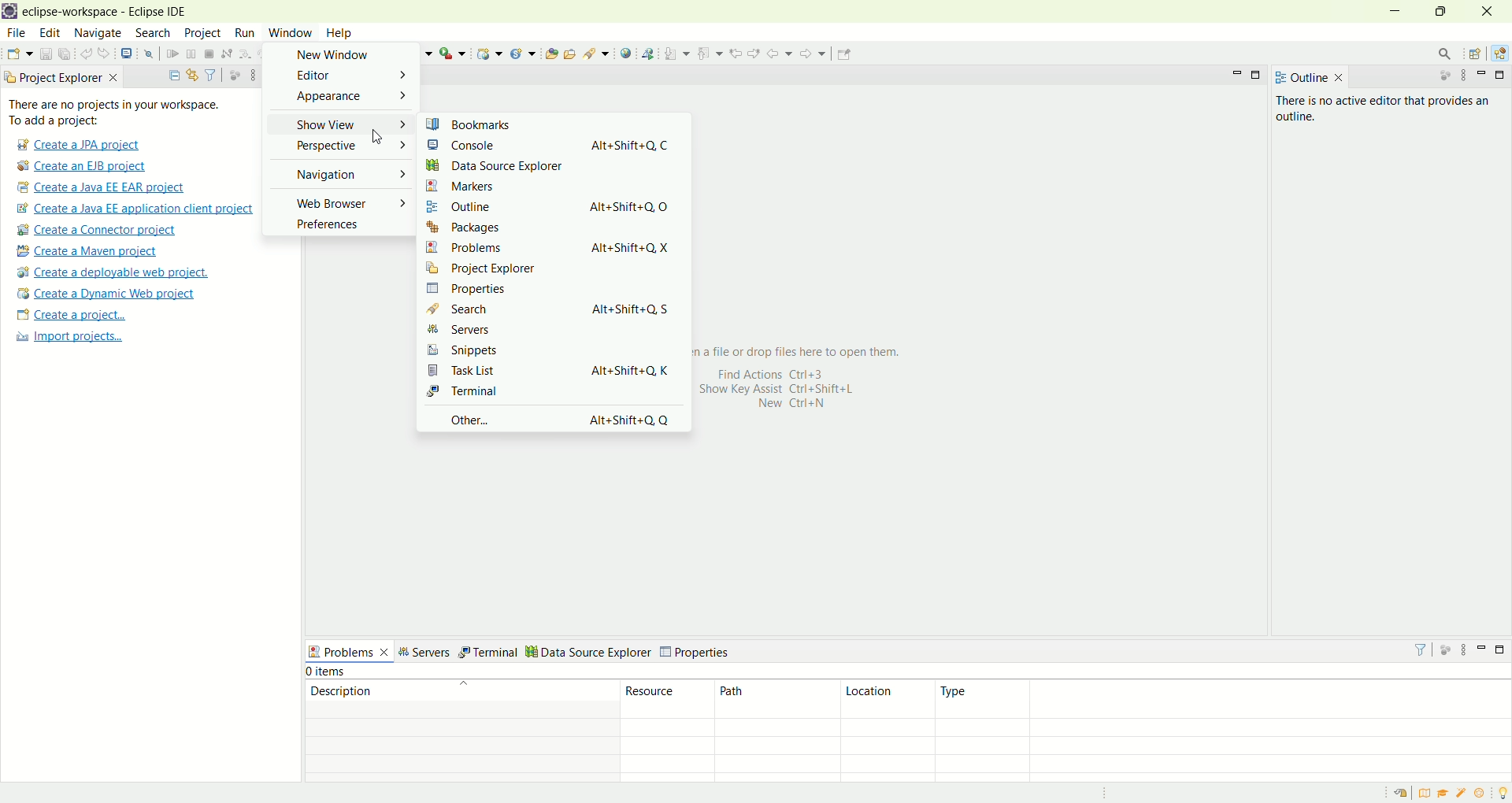 This screenshot has width=1512, height=803. What do you see at coordinates (632, 202) in the screenshot?
I see `Alt+Shift+Q O` at bounding box center [632, 202].